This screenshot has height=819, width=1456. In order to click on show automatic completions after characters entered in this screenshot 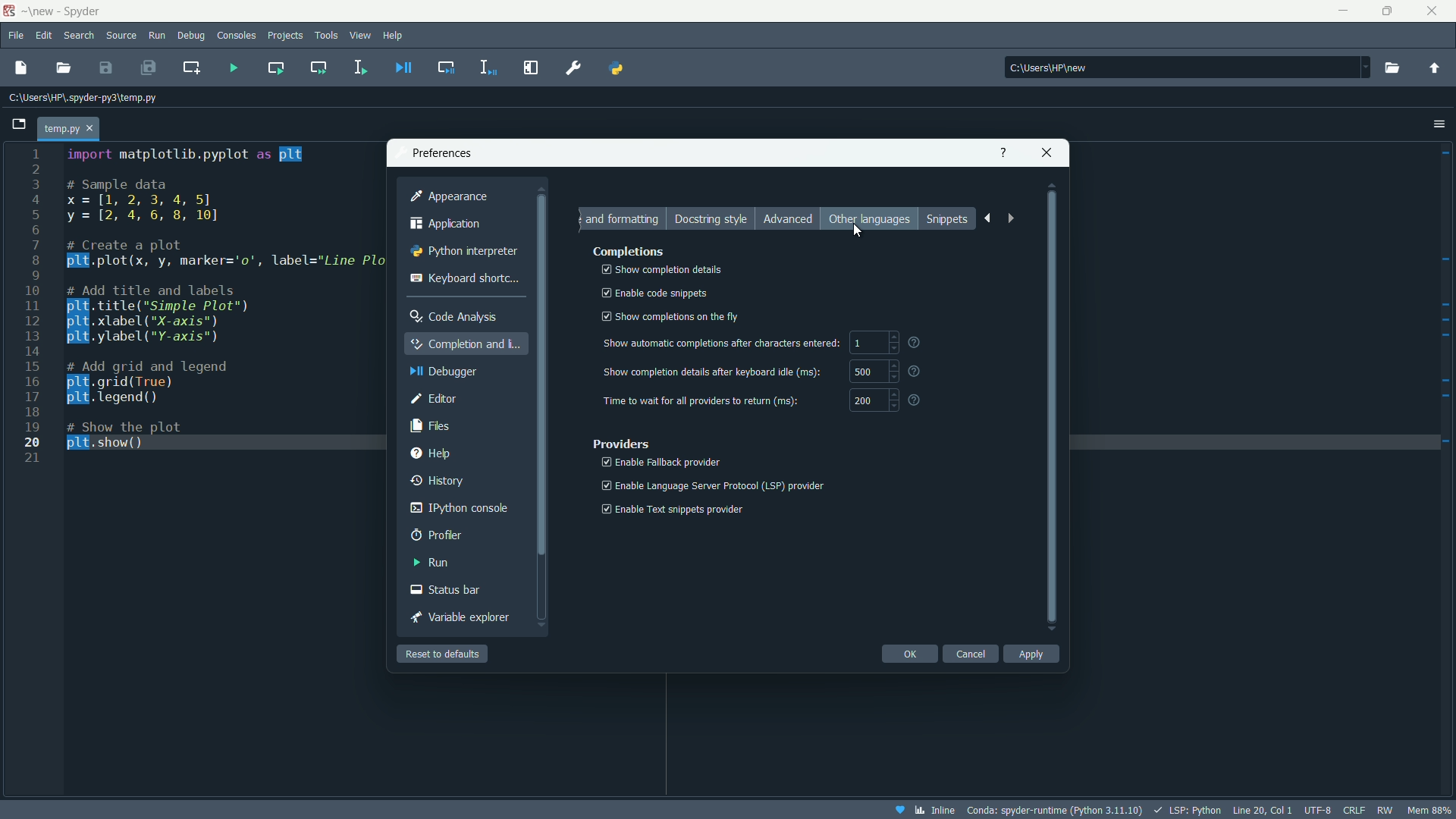, I will do `click(720, 343)`.